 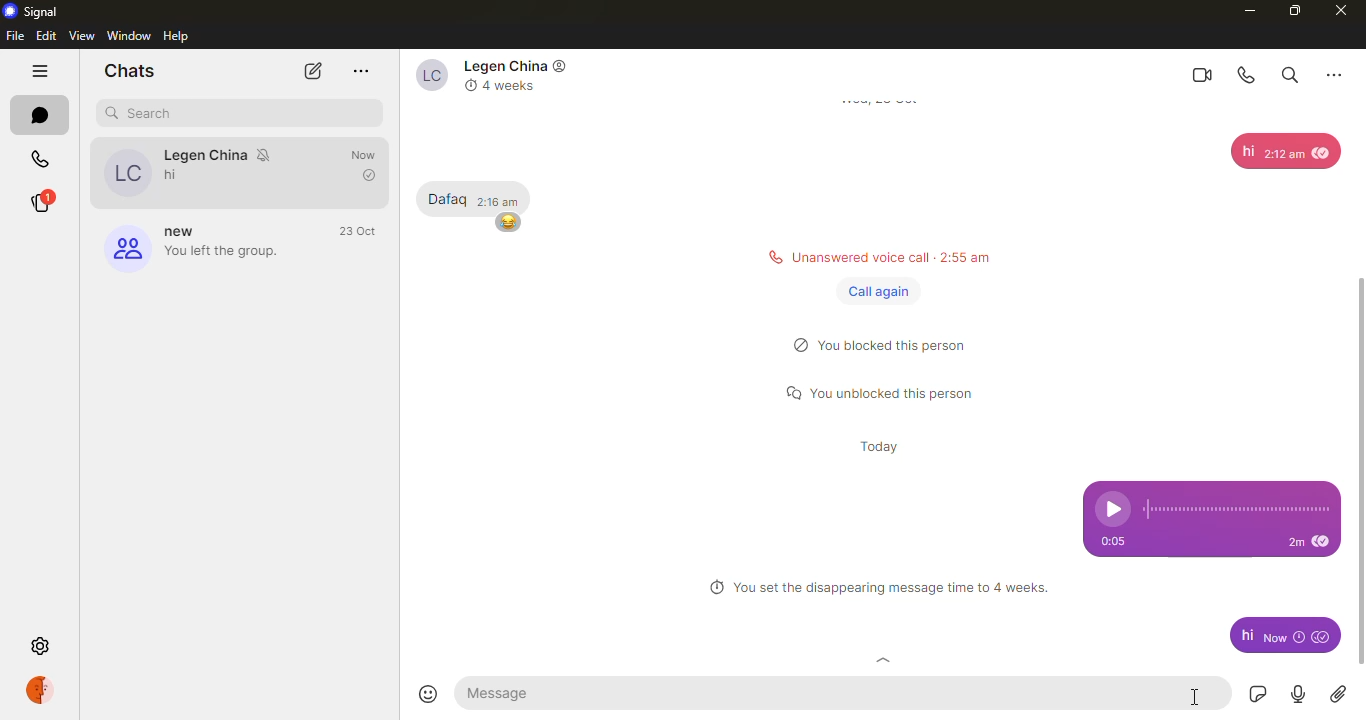 I want to click on profile, so click(x=44, y=690).